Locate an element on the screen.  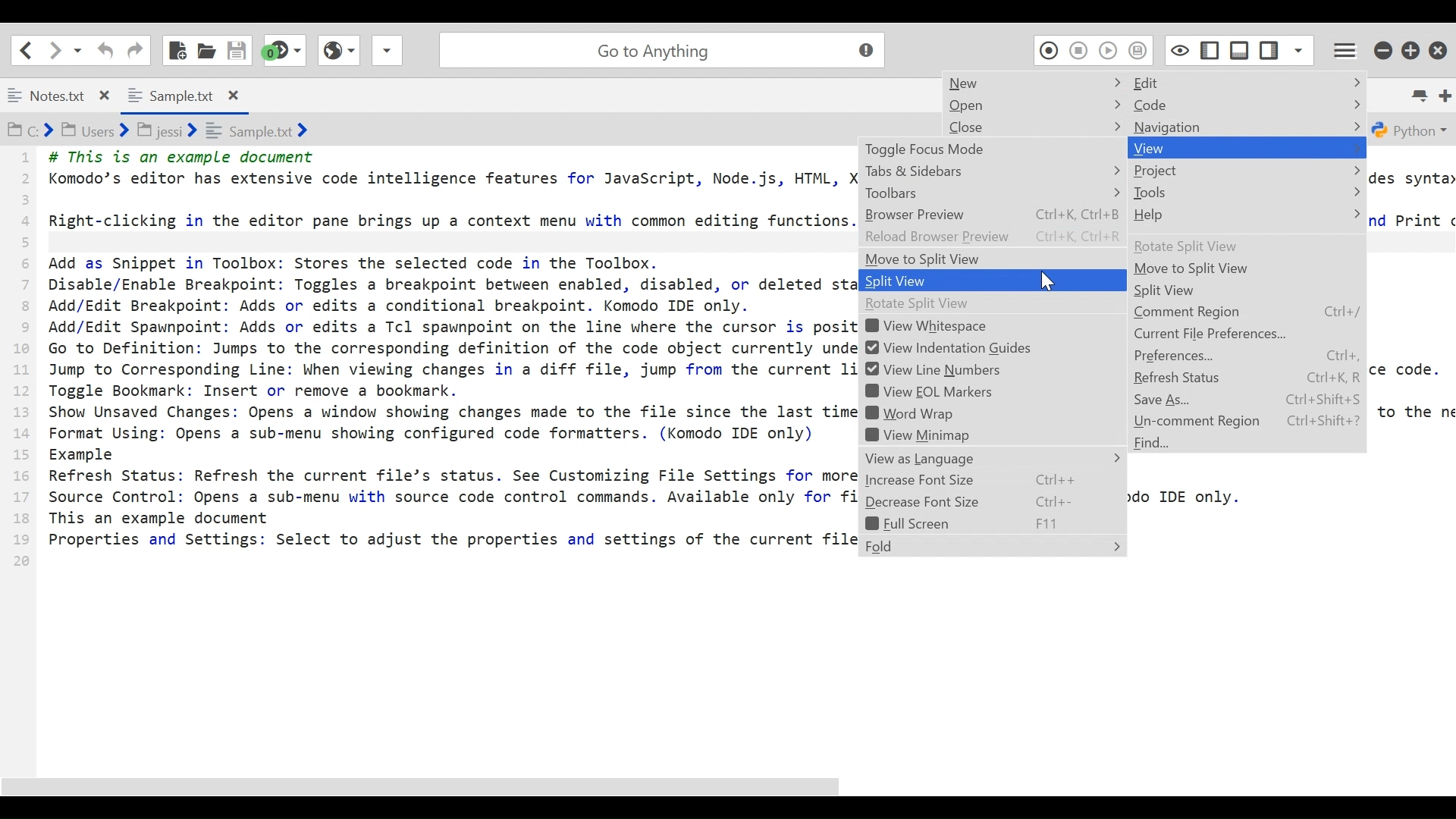
List all tabs is located at coordinates (1418, 93).